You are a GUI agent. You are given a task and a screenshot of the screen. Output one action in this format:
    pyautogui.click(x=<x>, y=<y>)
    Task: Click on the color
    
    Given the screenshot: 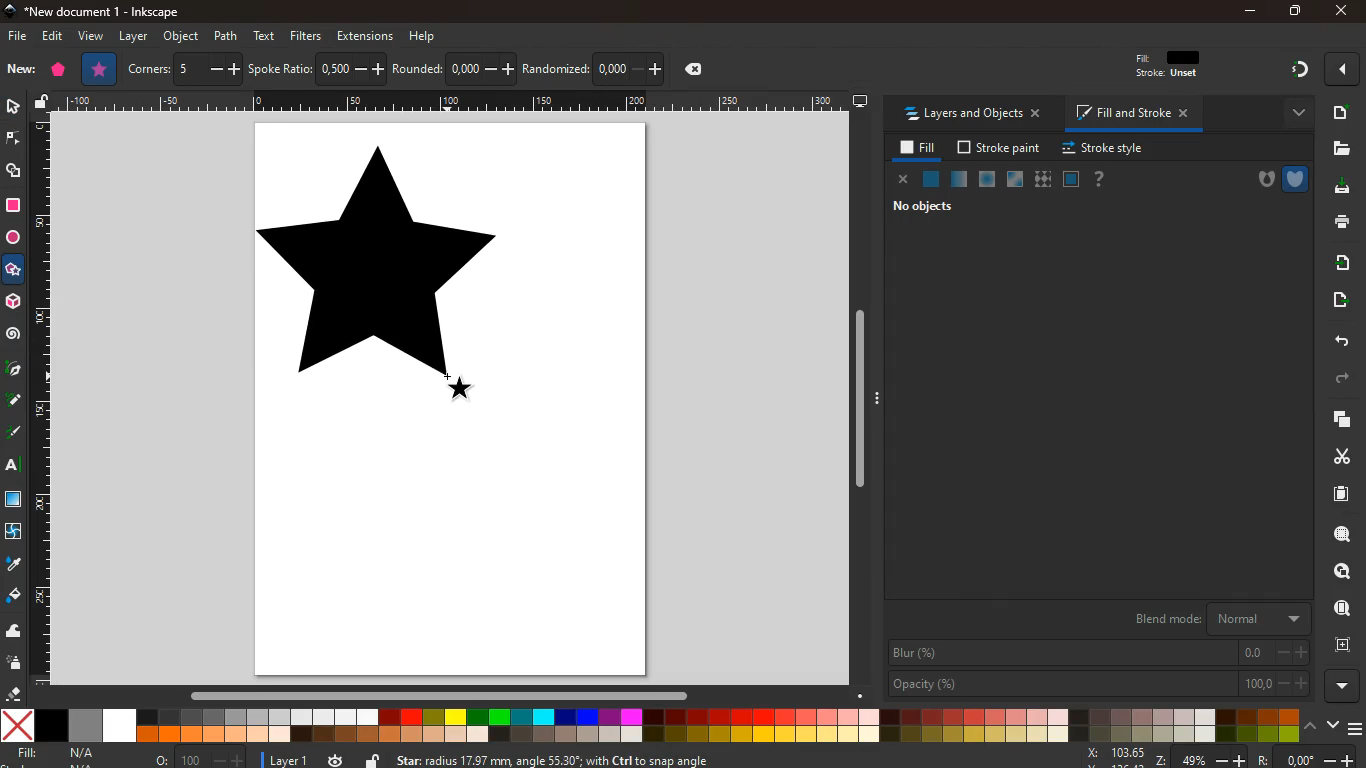 What is the action you would take?
    pyautogui.click(x=650, y=726)
    